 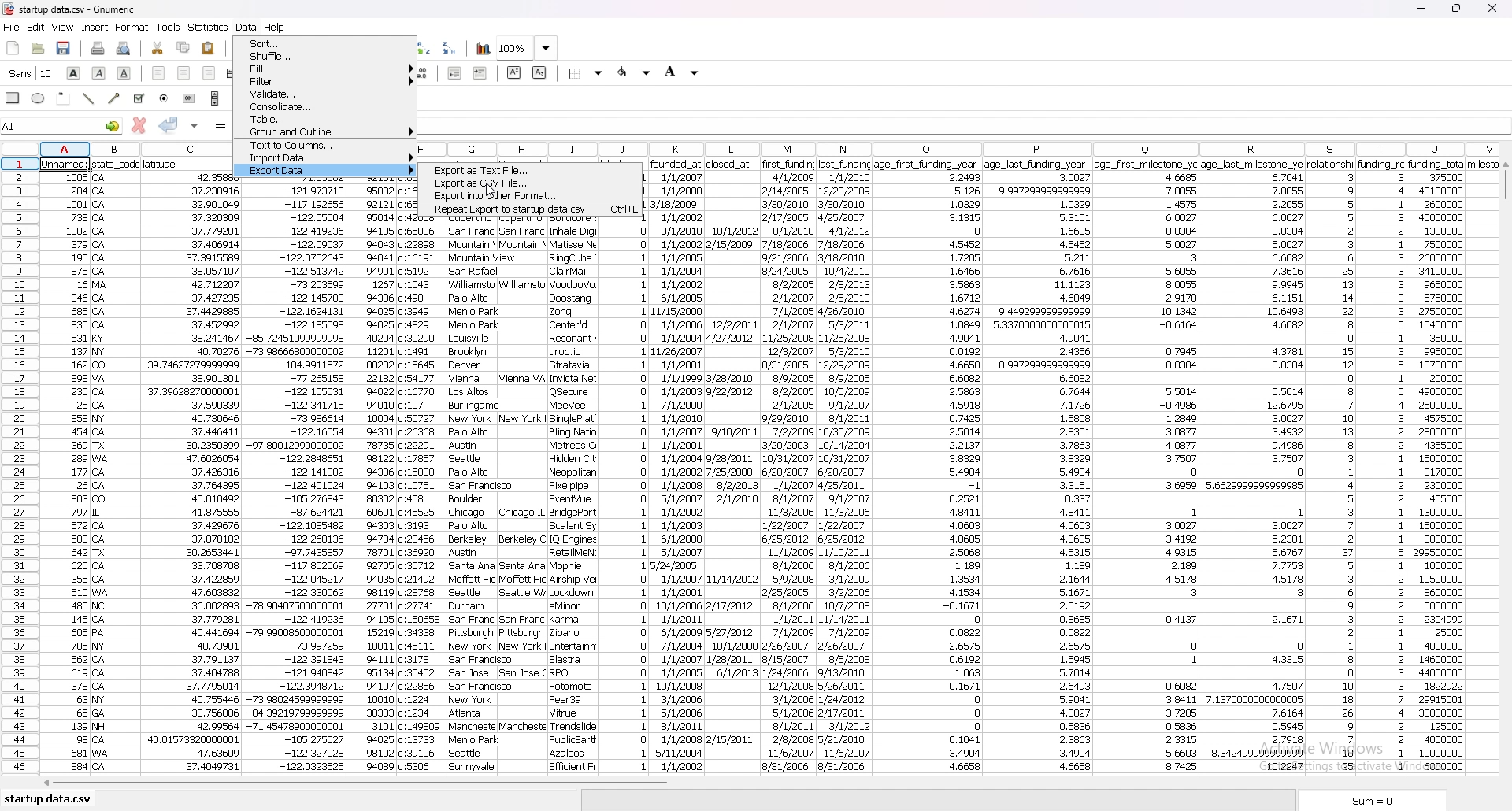 What do you see at coordinates (326, 56) in the screenshot?
I see `shuffle` at bounding box center [326, 56].